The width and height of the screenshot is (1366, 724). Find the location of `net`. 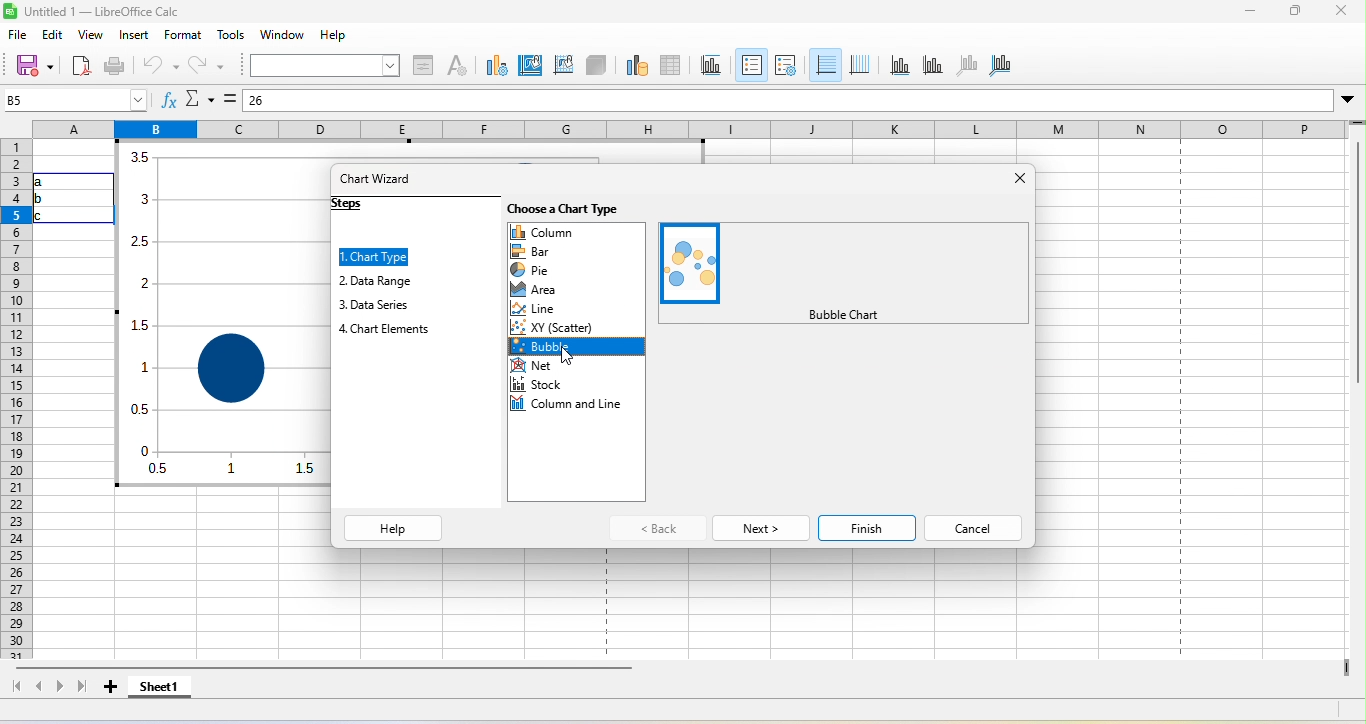

net is located at coordinates (536, 369).